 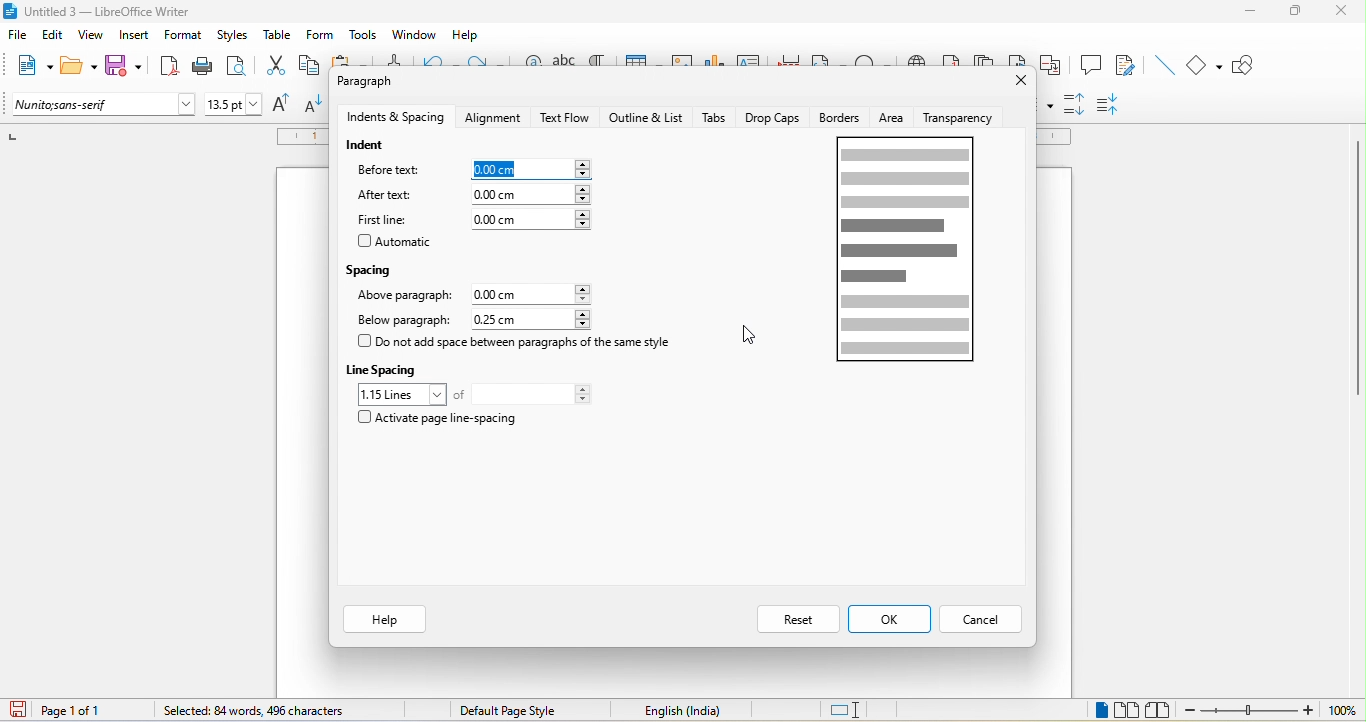 What do you see at coordinates (183, 37) in the screenshot?
I see `format` at bounding box center [183, 37].